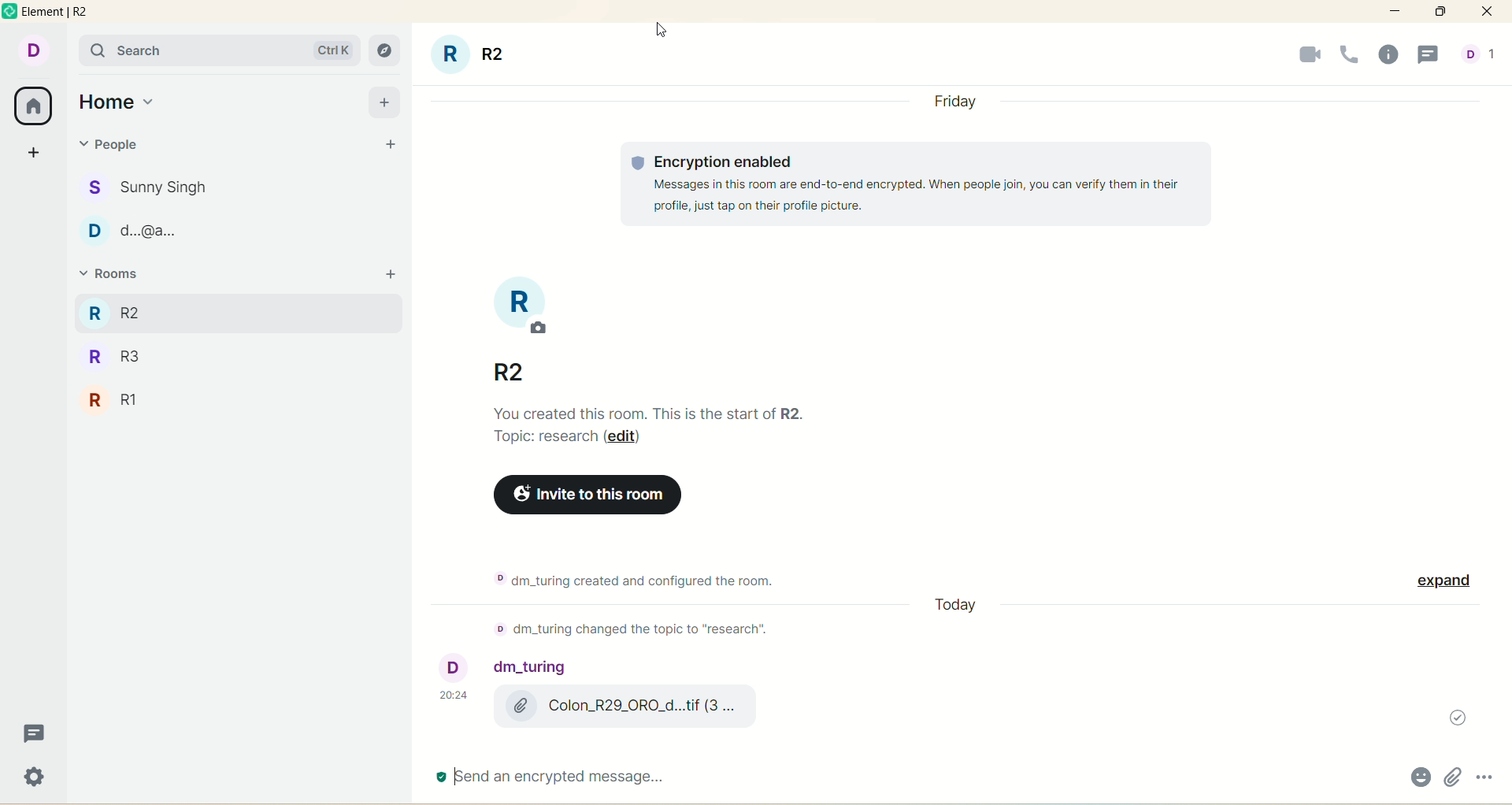 The height and width of the screenshot is (805, 1512). What do you see at coordinates (954, 607) in the screenshot?
I see `` at bounding box center [954, 607].